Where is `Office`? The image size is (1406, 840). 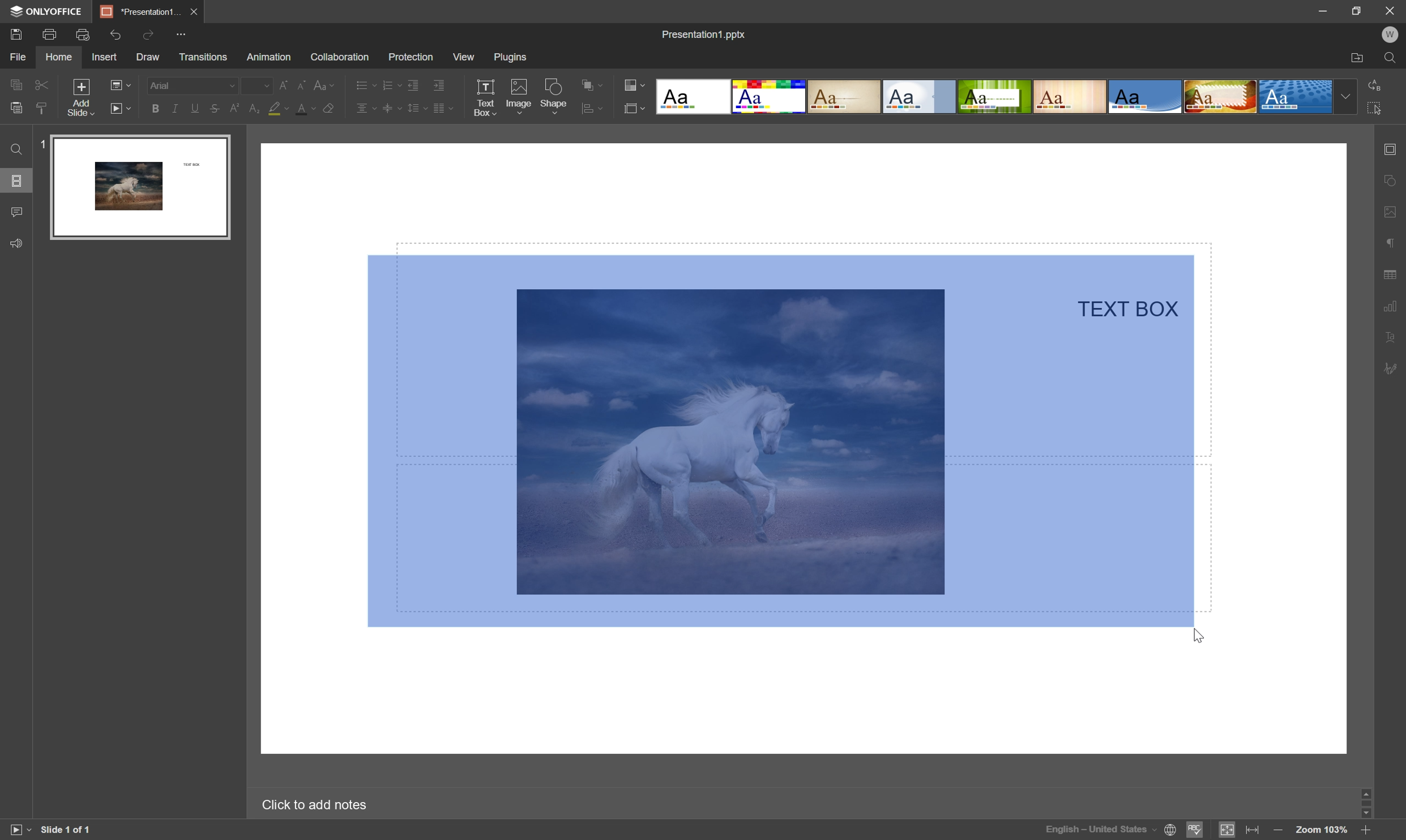 Office is located at coordinates (1146, 97).